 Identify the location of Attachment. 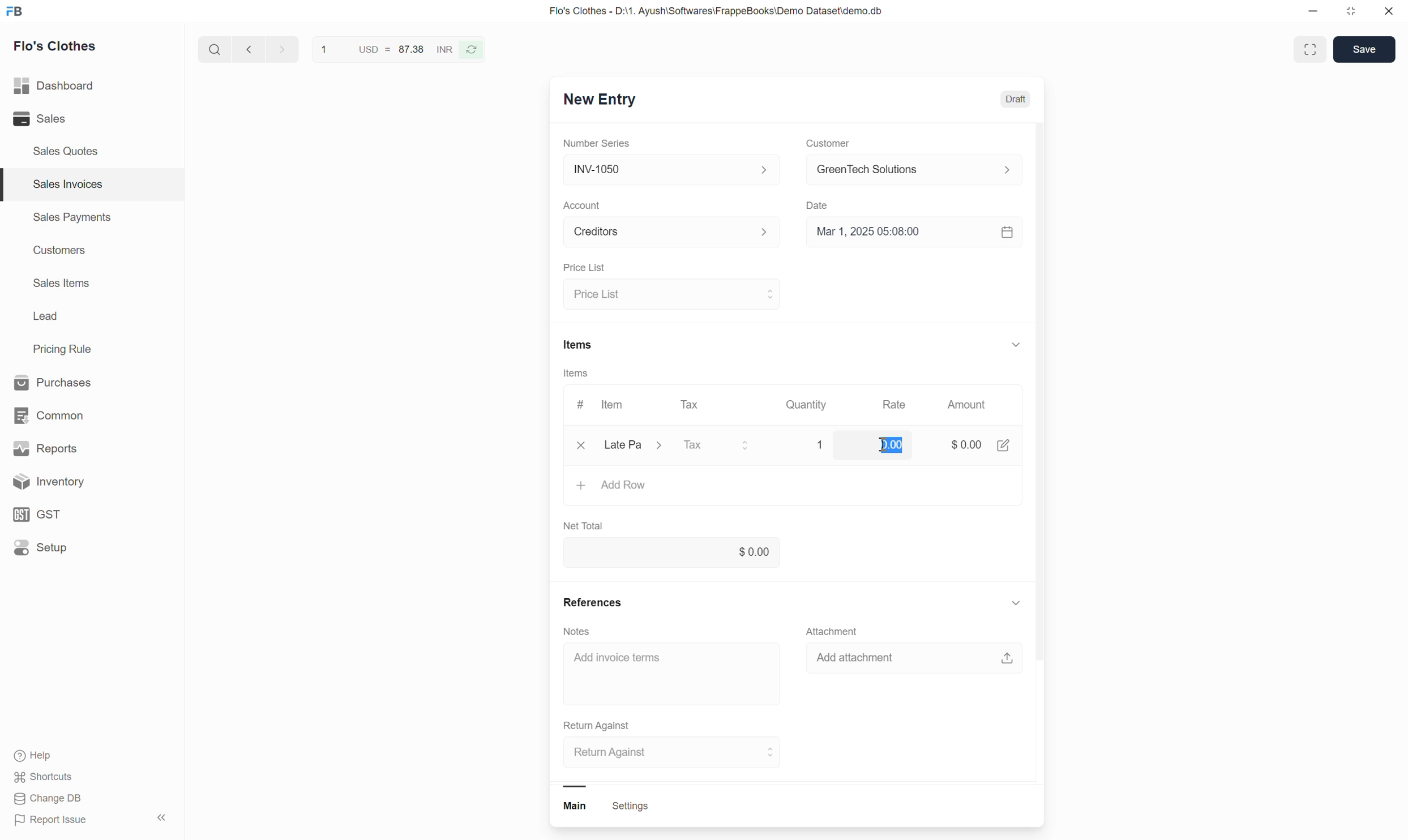
(836, 629).